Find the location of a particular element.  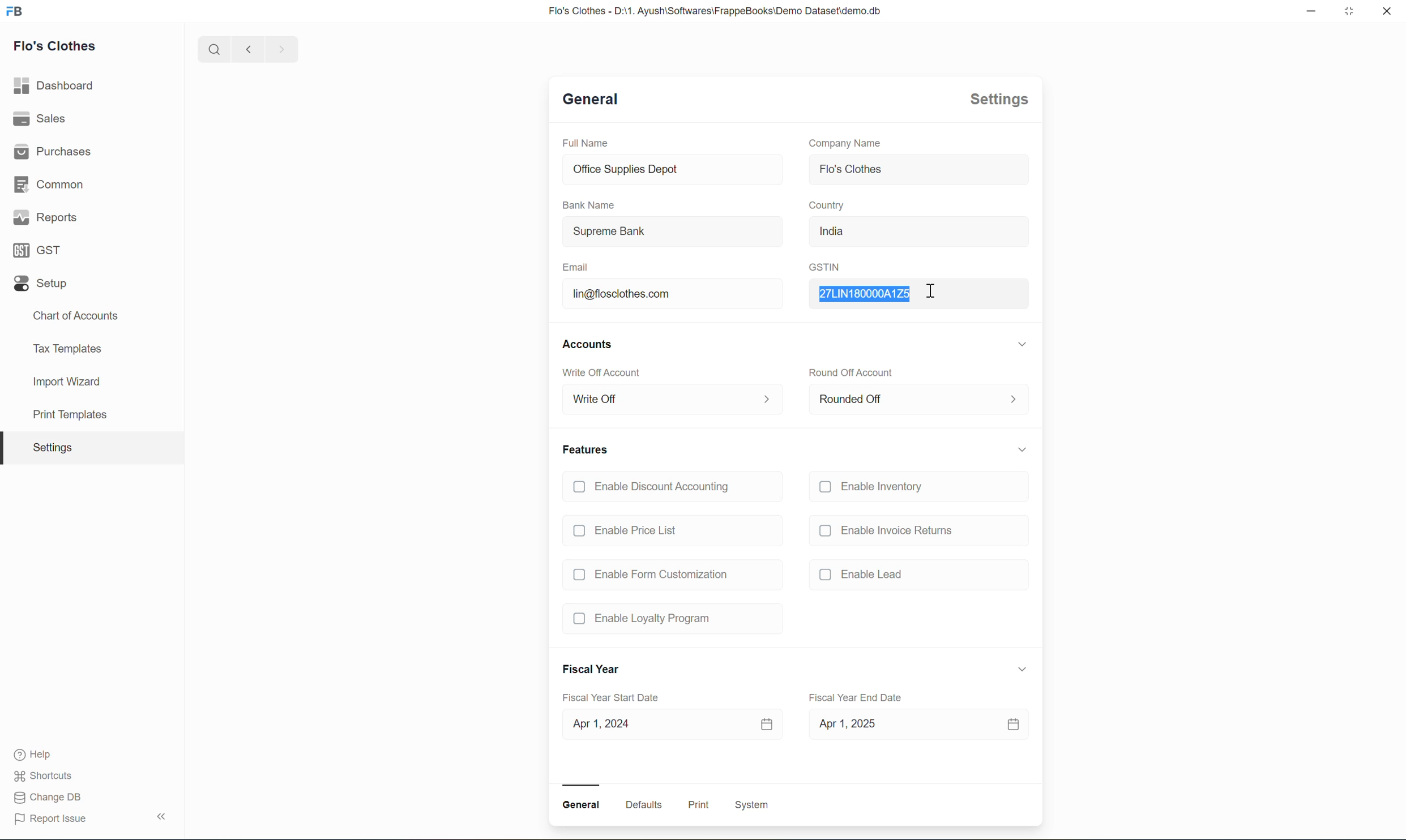

Setup is located at coordinates (41, 283).